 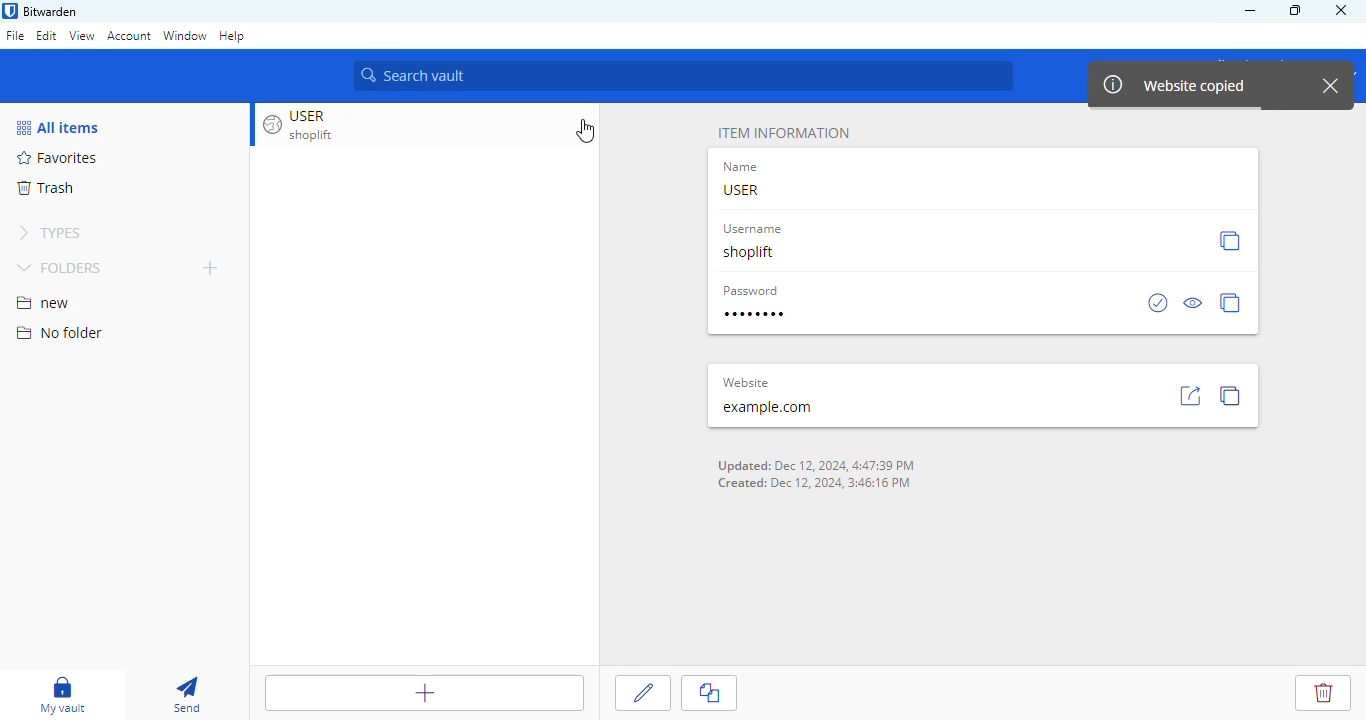 What do you see at coordinates (756, 314) in the screenshot?
I see `password` at bounding box center [756, 314].